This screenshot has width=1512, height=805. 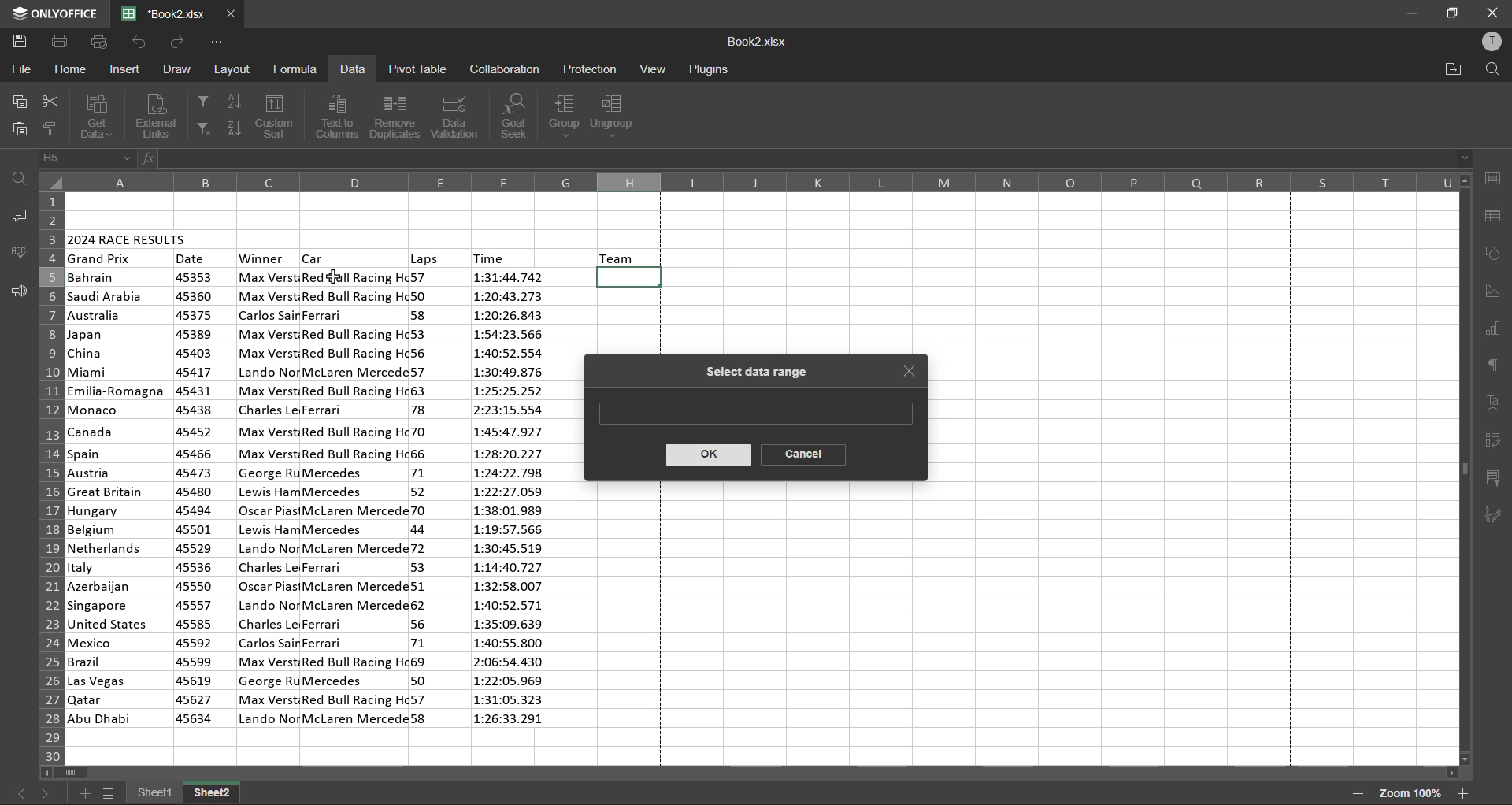 What do you see at coordinates (178, 67) in the screenshot?
I see `draw` at bounding box center [178, 67].